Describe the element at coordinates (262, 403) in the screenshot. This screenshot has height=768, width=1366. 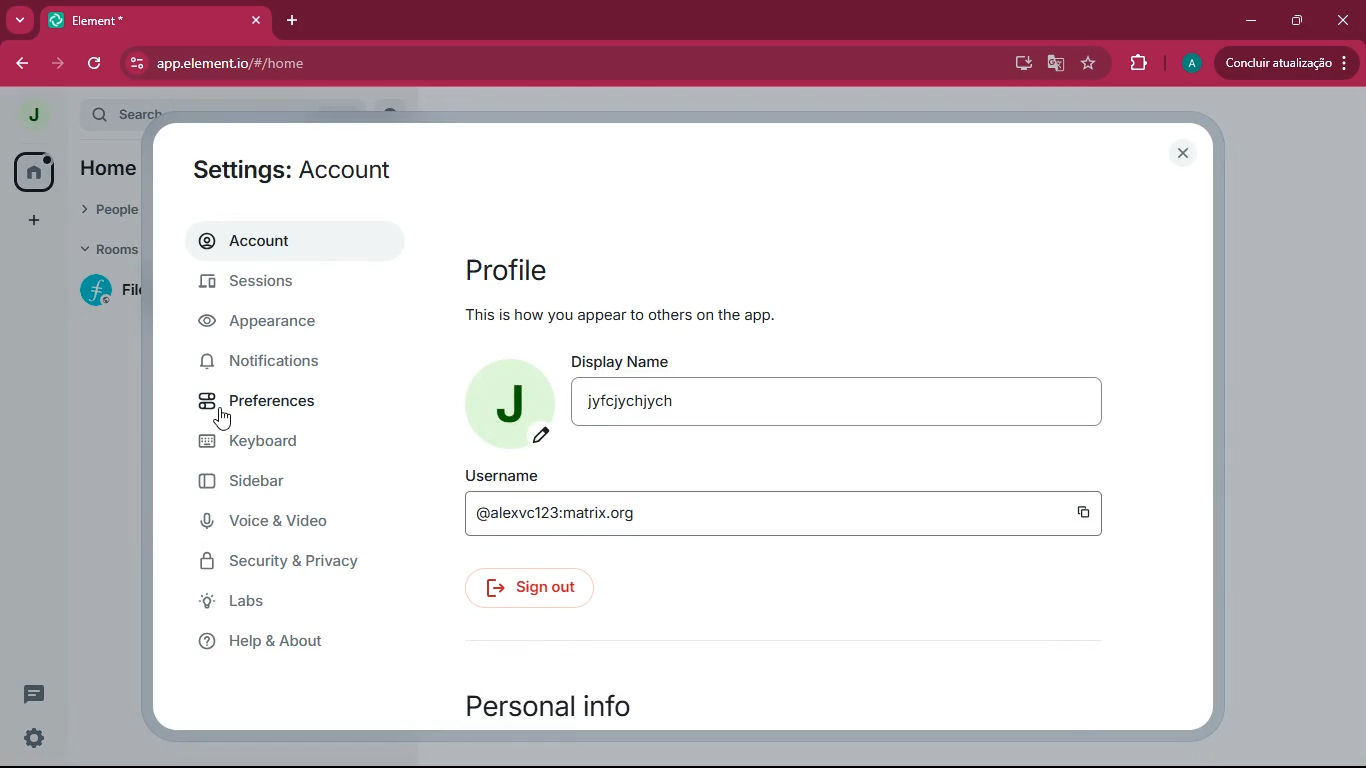
I see `preferences` at that location.